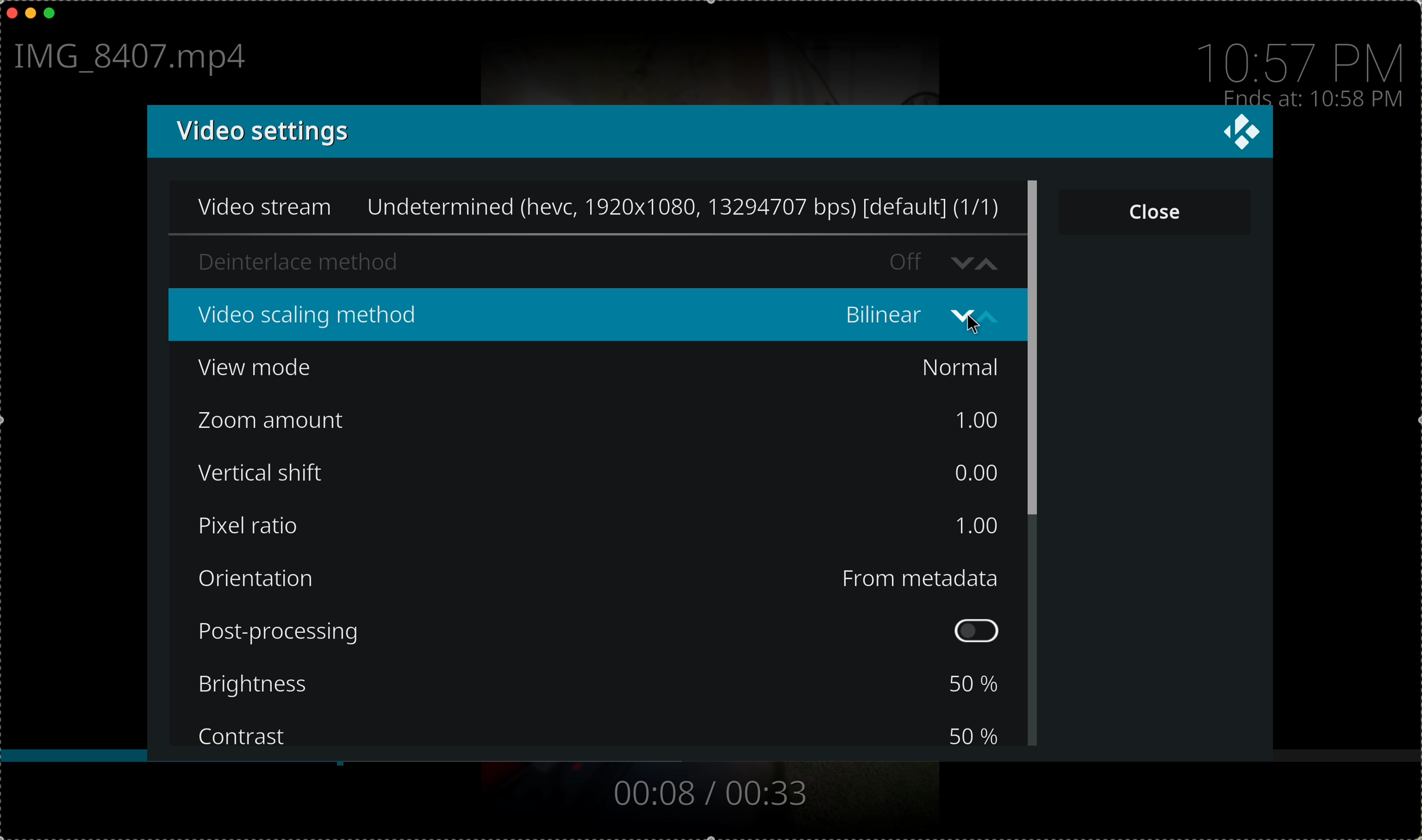 This screenshot has height=840, width=1422. I want to click on maximize , so click(55, 14).